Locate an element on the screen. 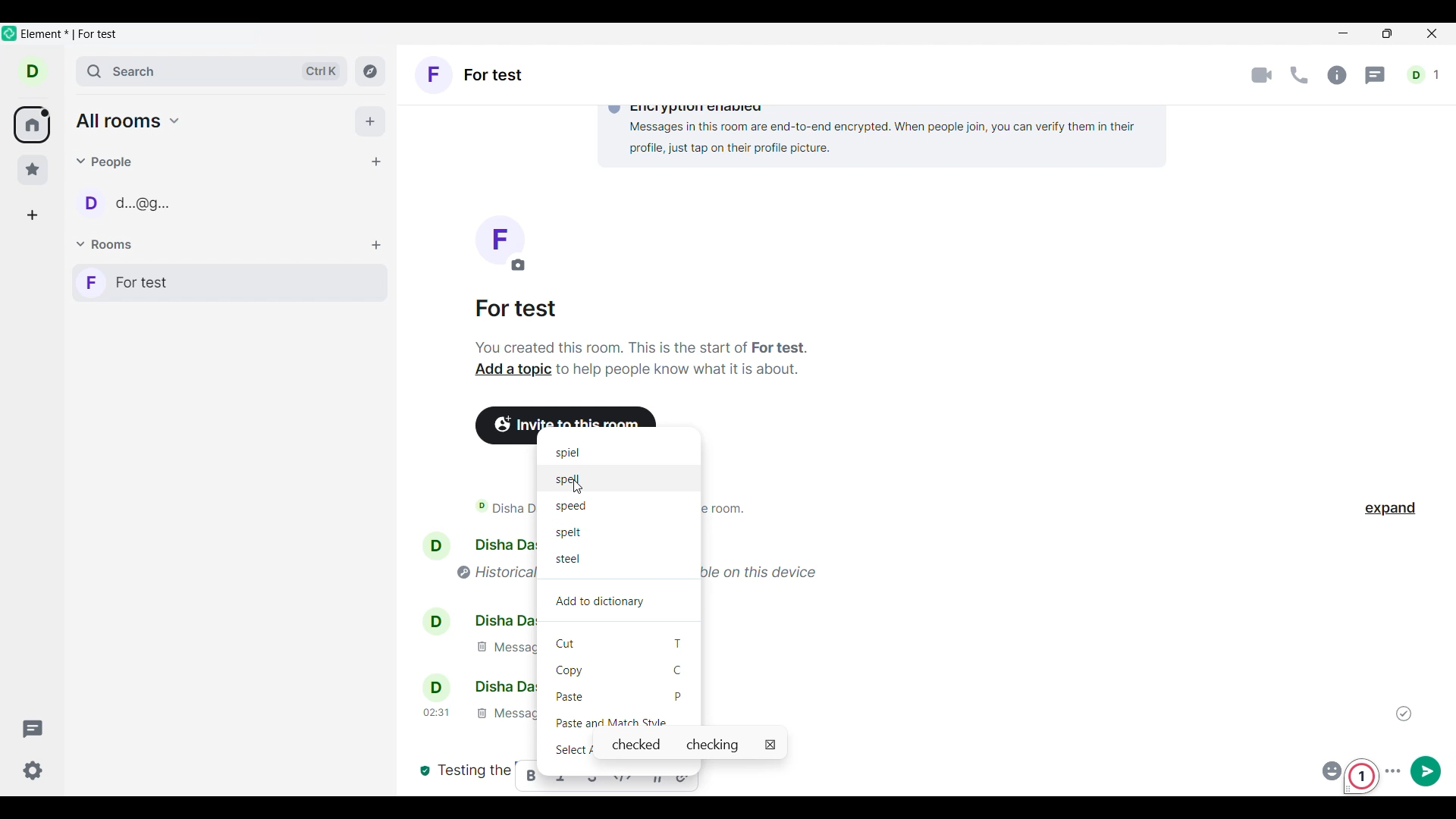 Image resolution: width=1456 pixels, height=819 pixels. Add room is located at coordinates (376, 246).